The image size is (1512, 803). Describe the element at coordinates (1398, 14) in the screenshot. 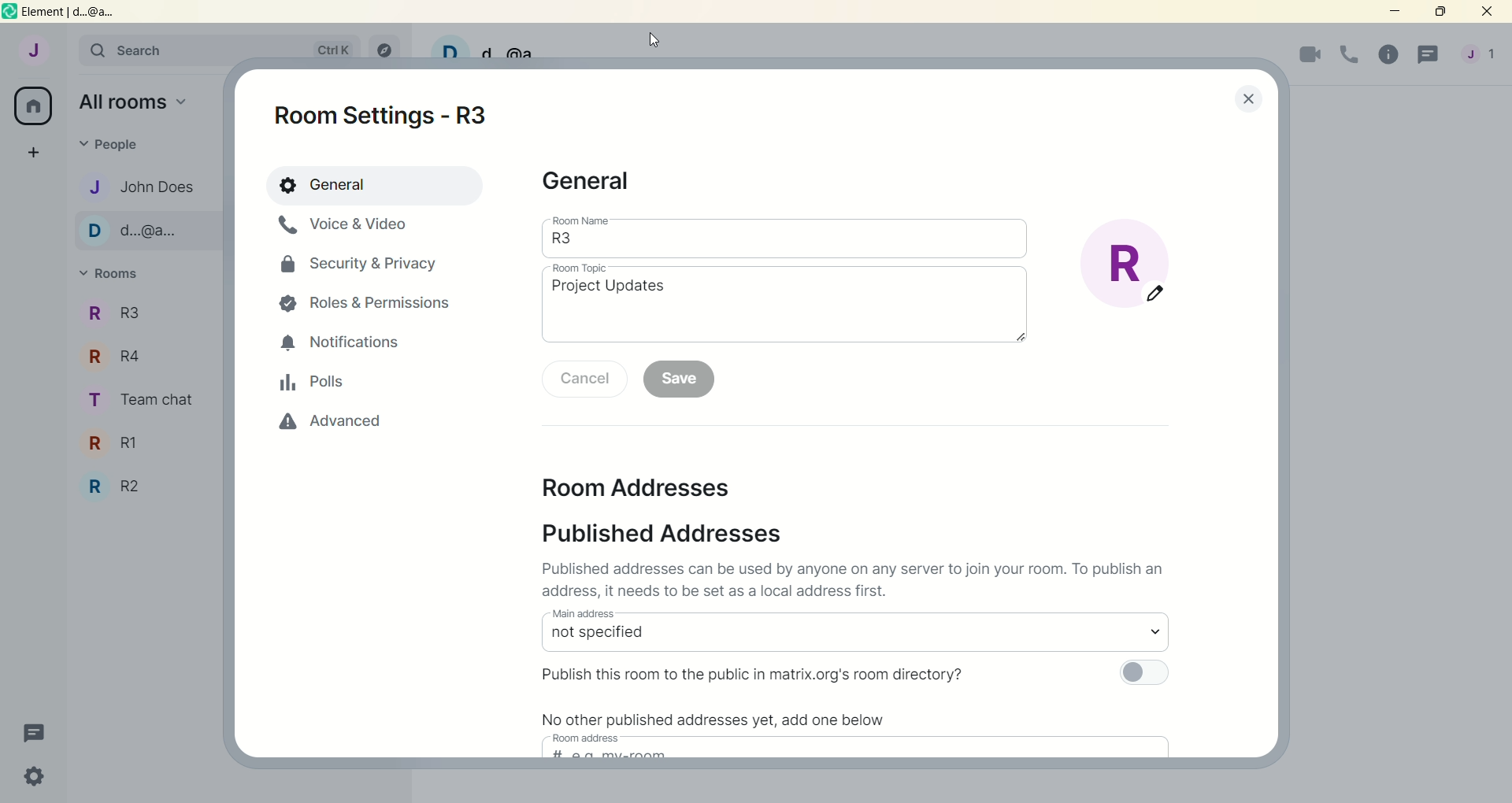

I see `minimize` at that location.